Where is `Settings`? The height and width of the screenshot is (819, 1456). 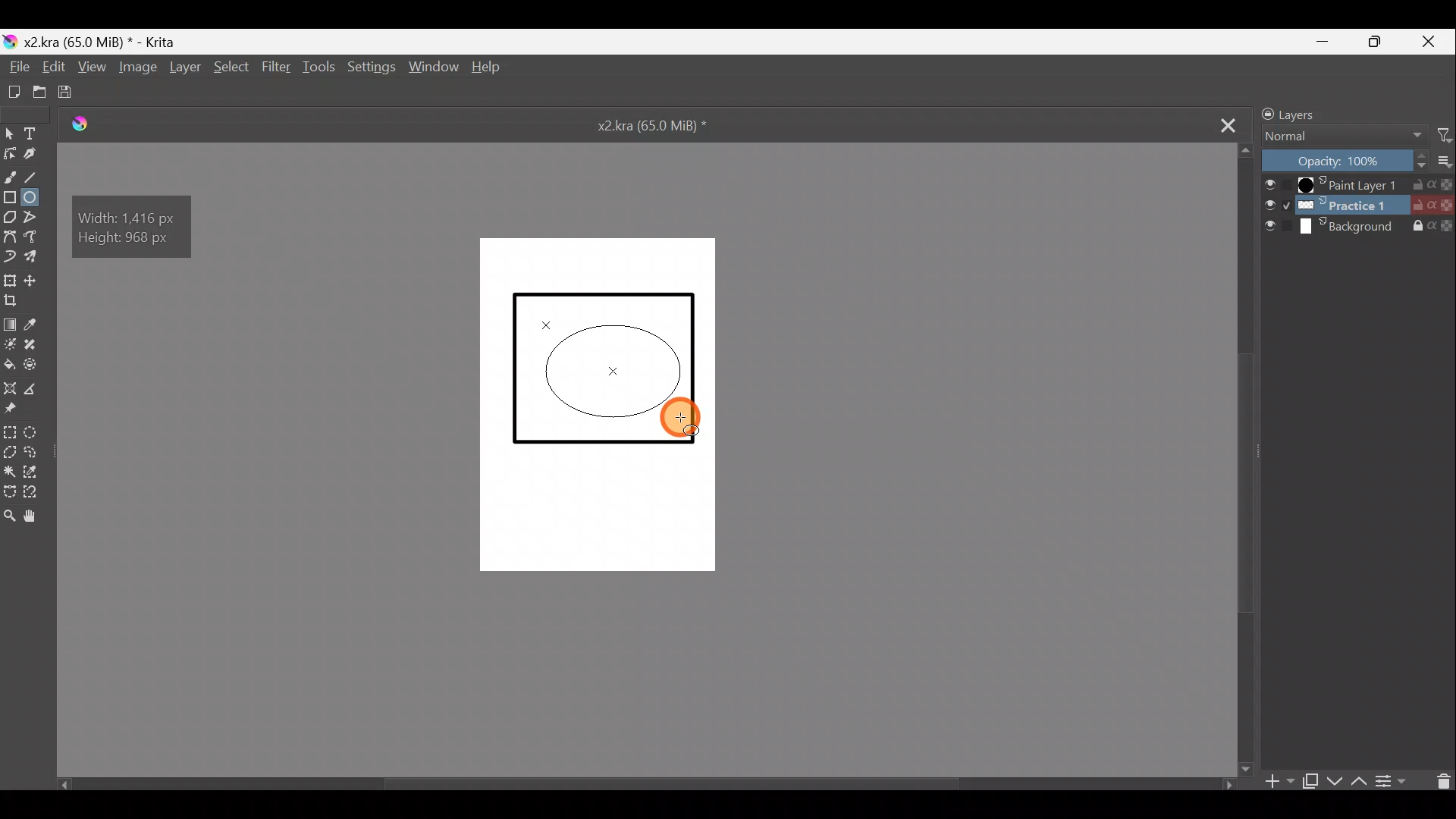 Settings is located at coordinates (372, 69).